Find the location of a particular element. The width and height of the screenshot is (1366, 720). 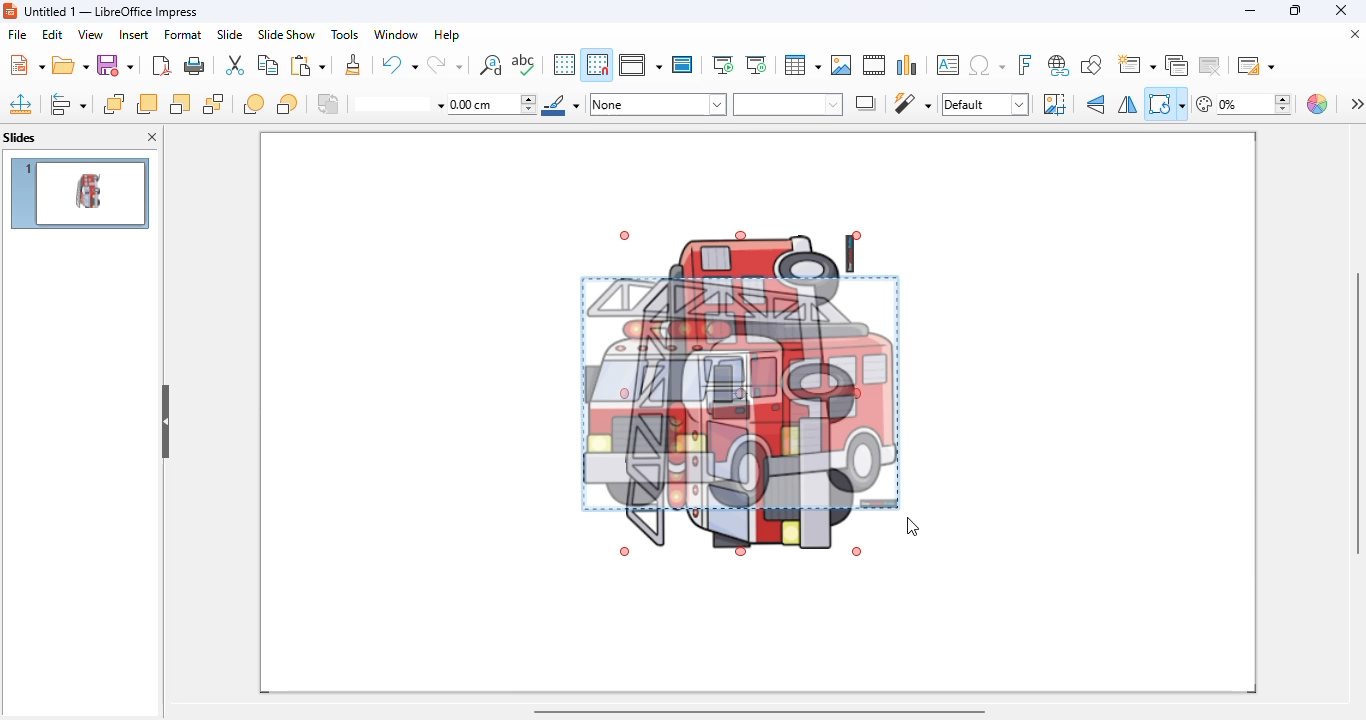

crop image is located at coordinates (1054, 104).